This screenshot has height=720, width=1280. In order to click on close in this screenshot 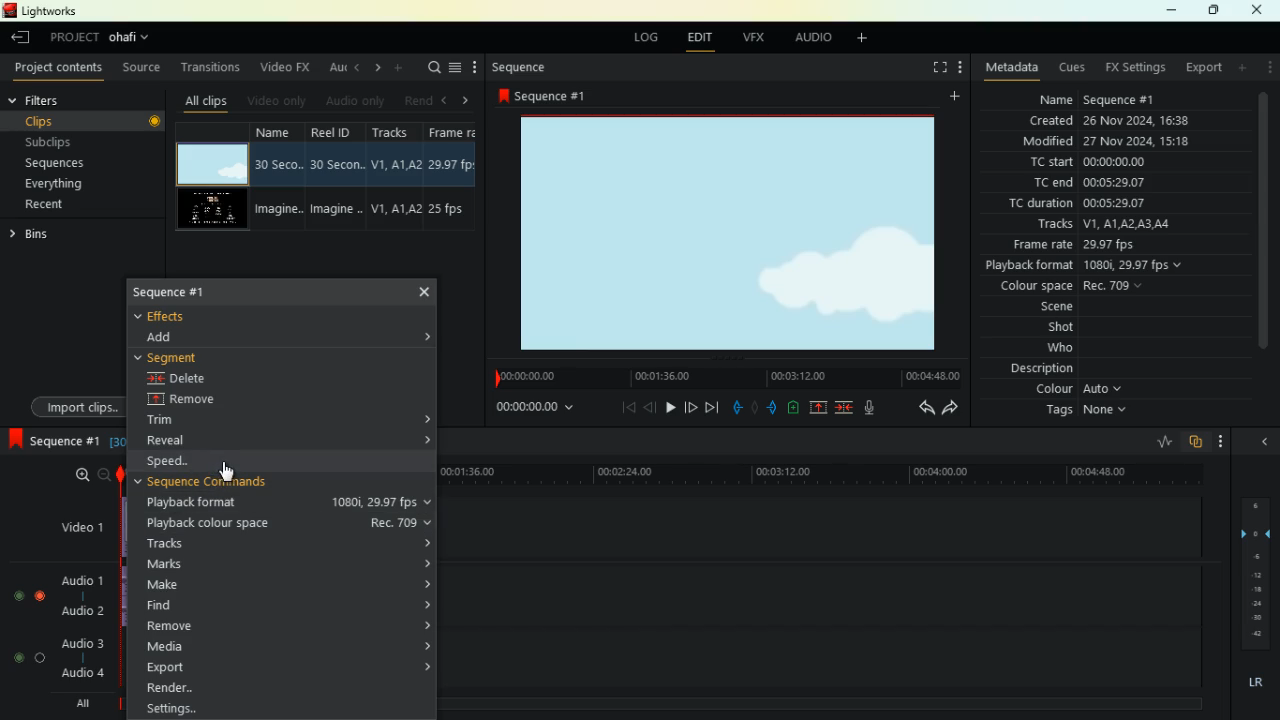, I will do `click(1261, 9)`.